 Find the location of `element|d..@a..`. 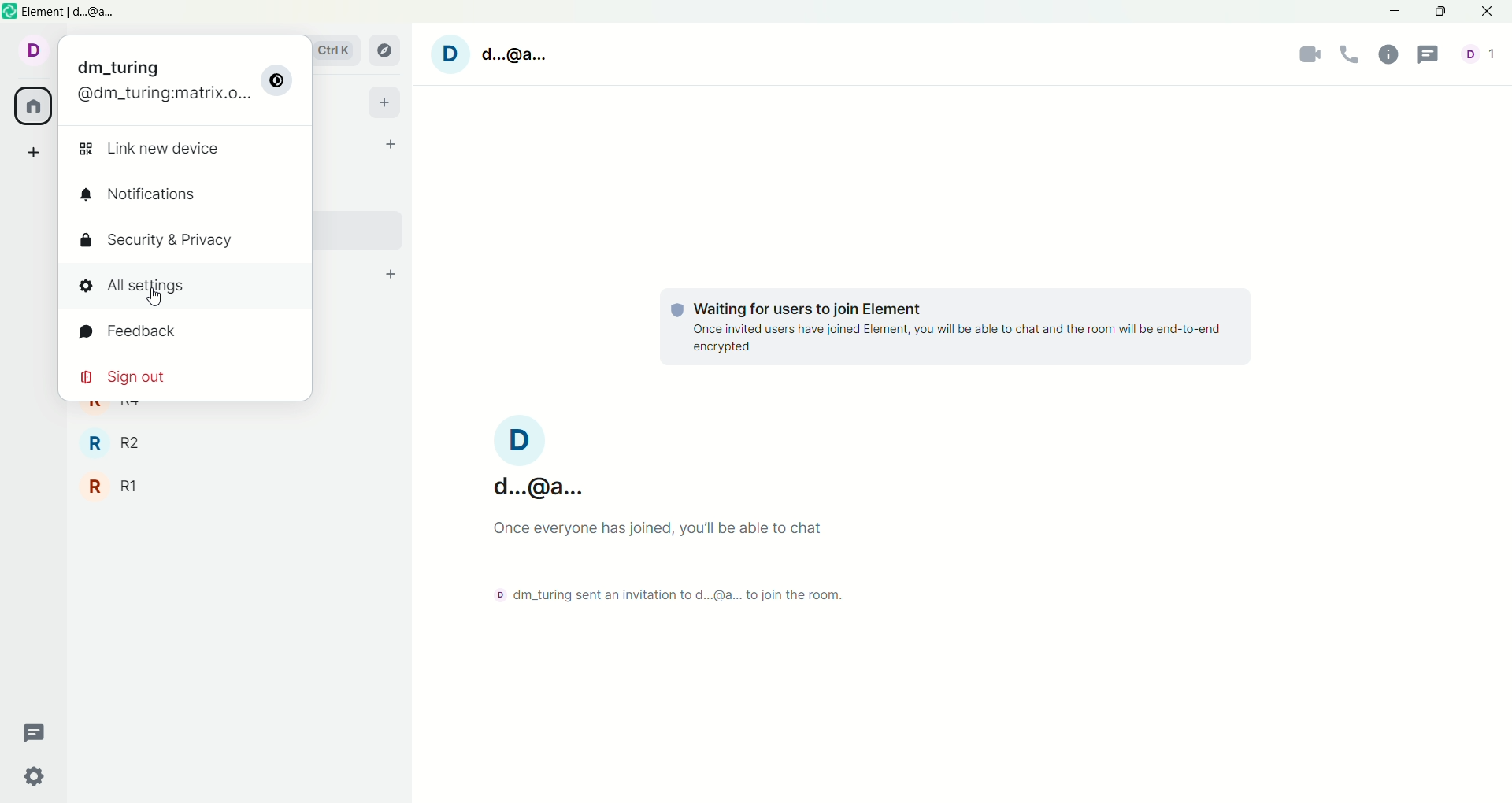

element|d..@a.. is located at coordinates (87, 13).